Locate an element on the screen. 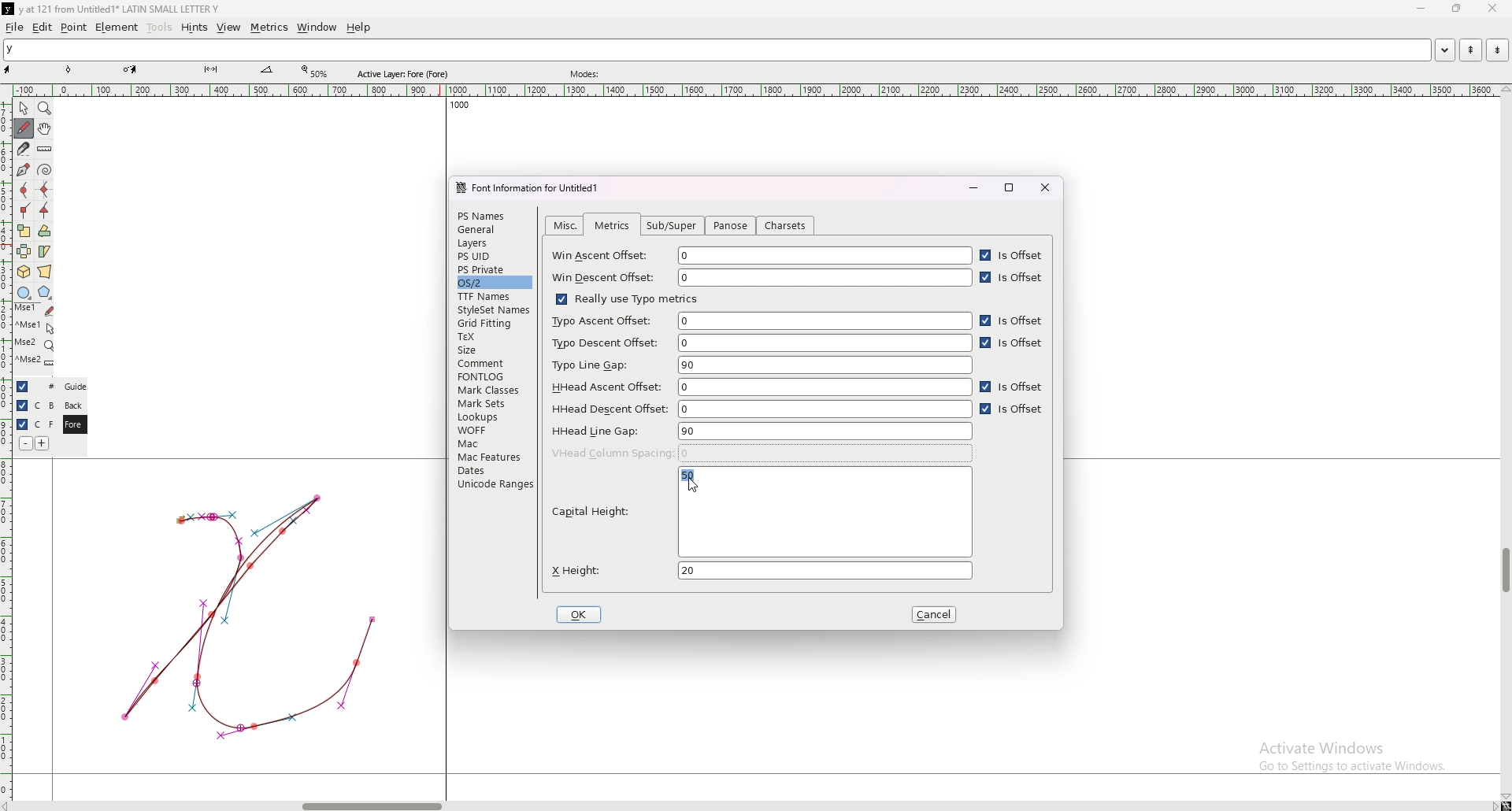 The image size is (1512, 811). misc is located at coordinates (566, 225).